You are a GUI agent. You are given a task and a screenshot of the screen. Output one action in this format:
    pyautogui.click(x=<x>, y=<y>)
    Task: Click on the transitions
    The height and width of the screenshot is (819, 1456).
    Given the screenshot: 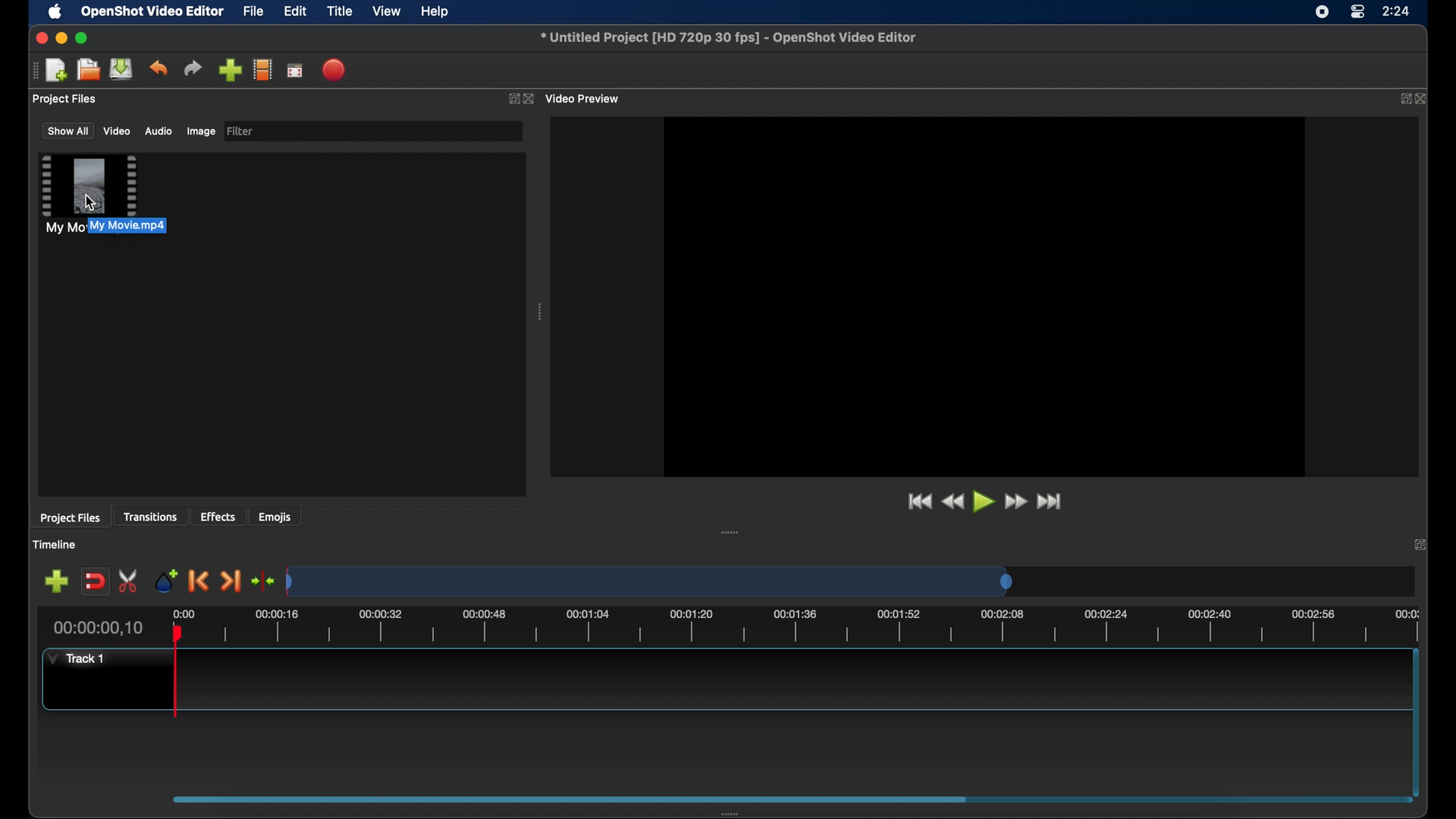 What is the action you would take?
    pyautogui.click(x=153, y=516)
    